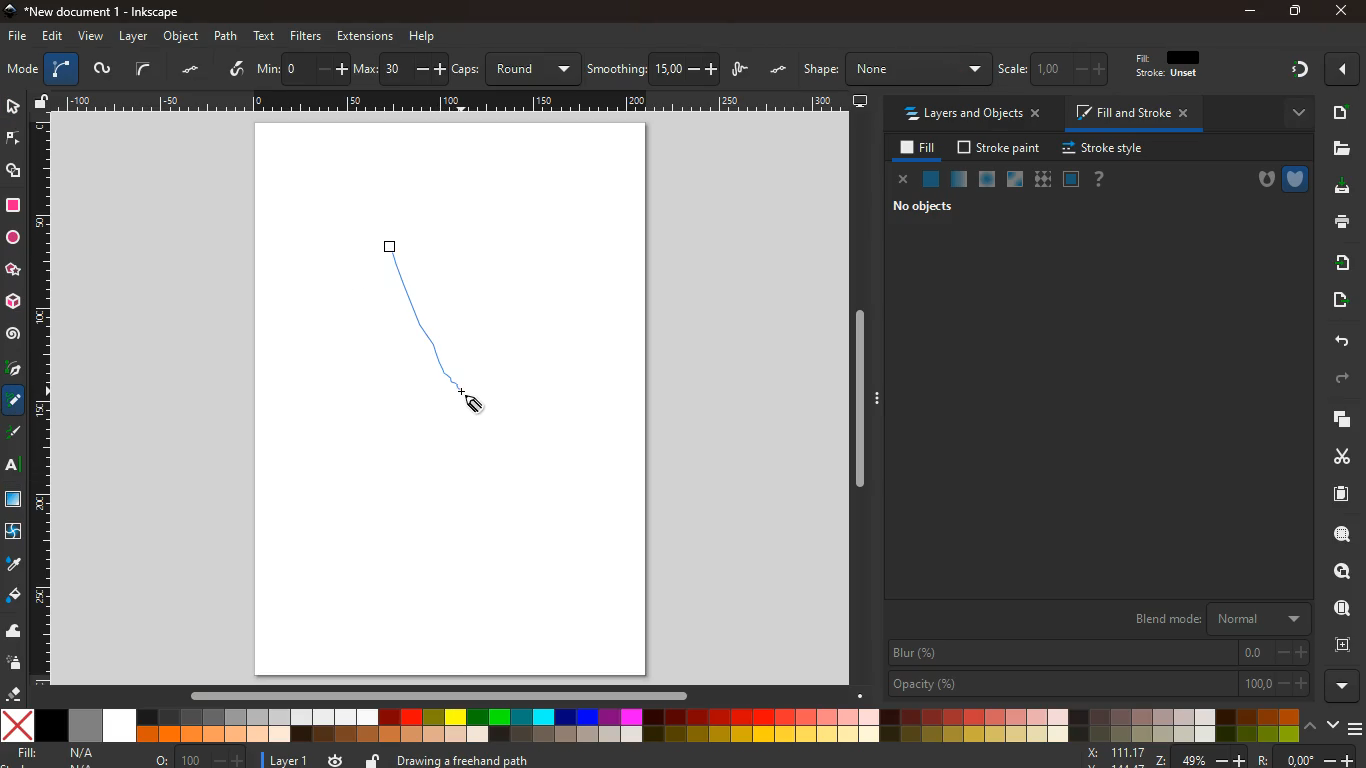 The height and width of the screenshot is (768, 1366). I want to click on time, so click(335, 759).